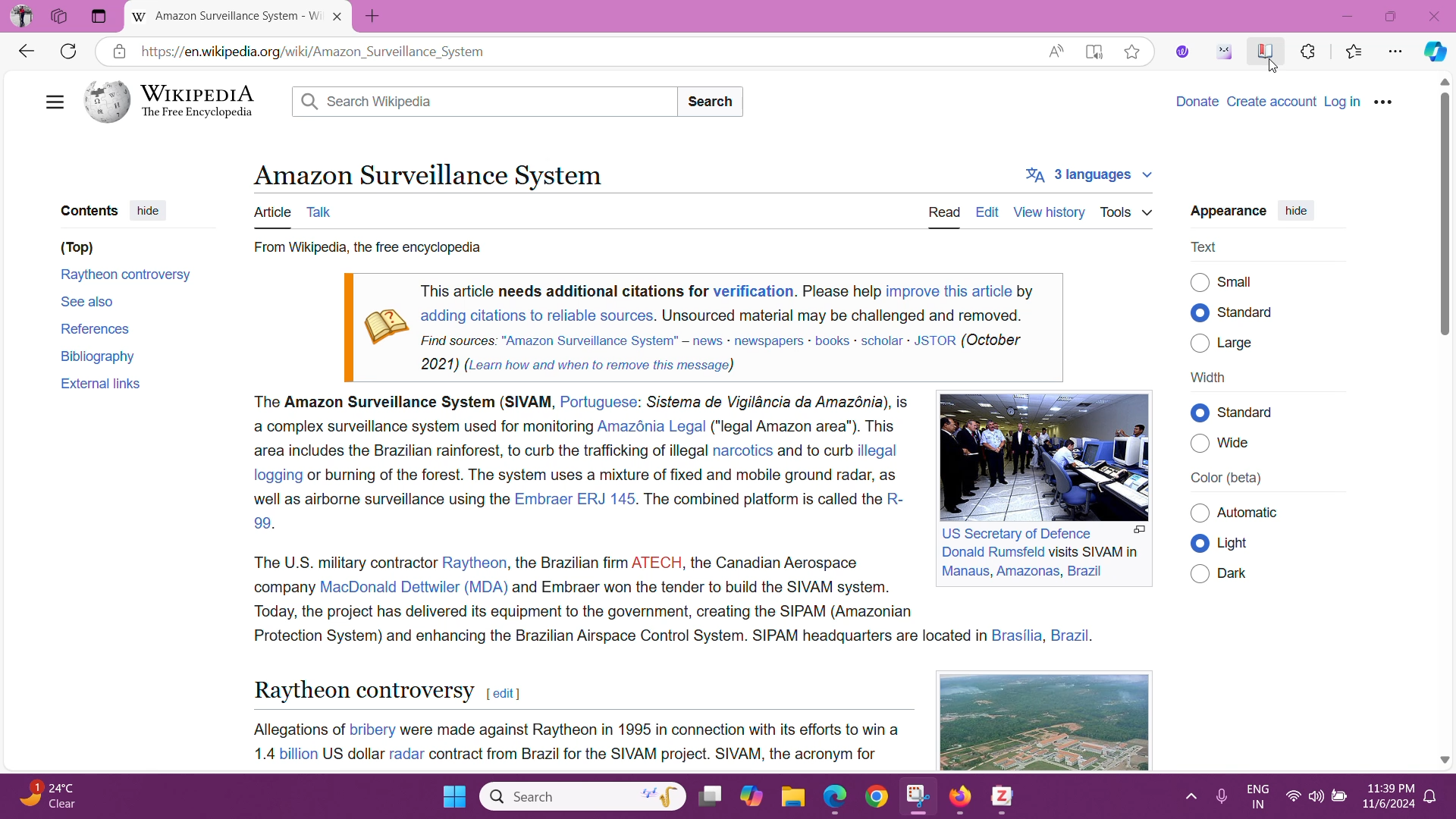 The height and width of the screenshot is (819, 1456). What do you see at coordinates (1262, 50) in the screenshot?
I see `Save to Zotero Extension` at bounding box center [1262, 50].